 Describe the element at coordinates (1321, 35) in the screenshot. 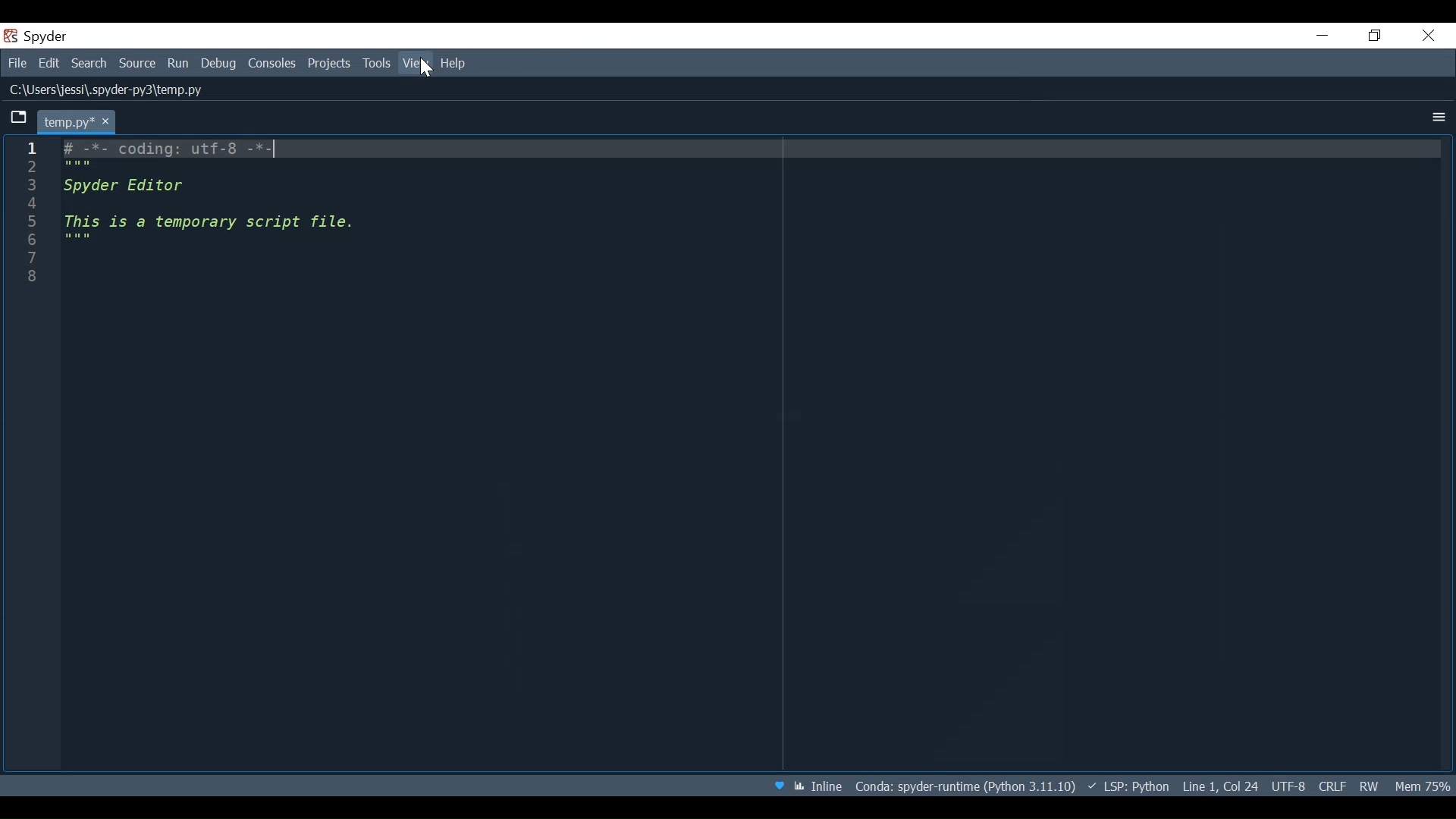

I see `minimize` at that location.